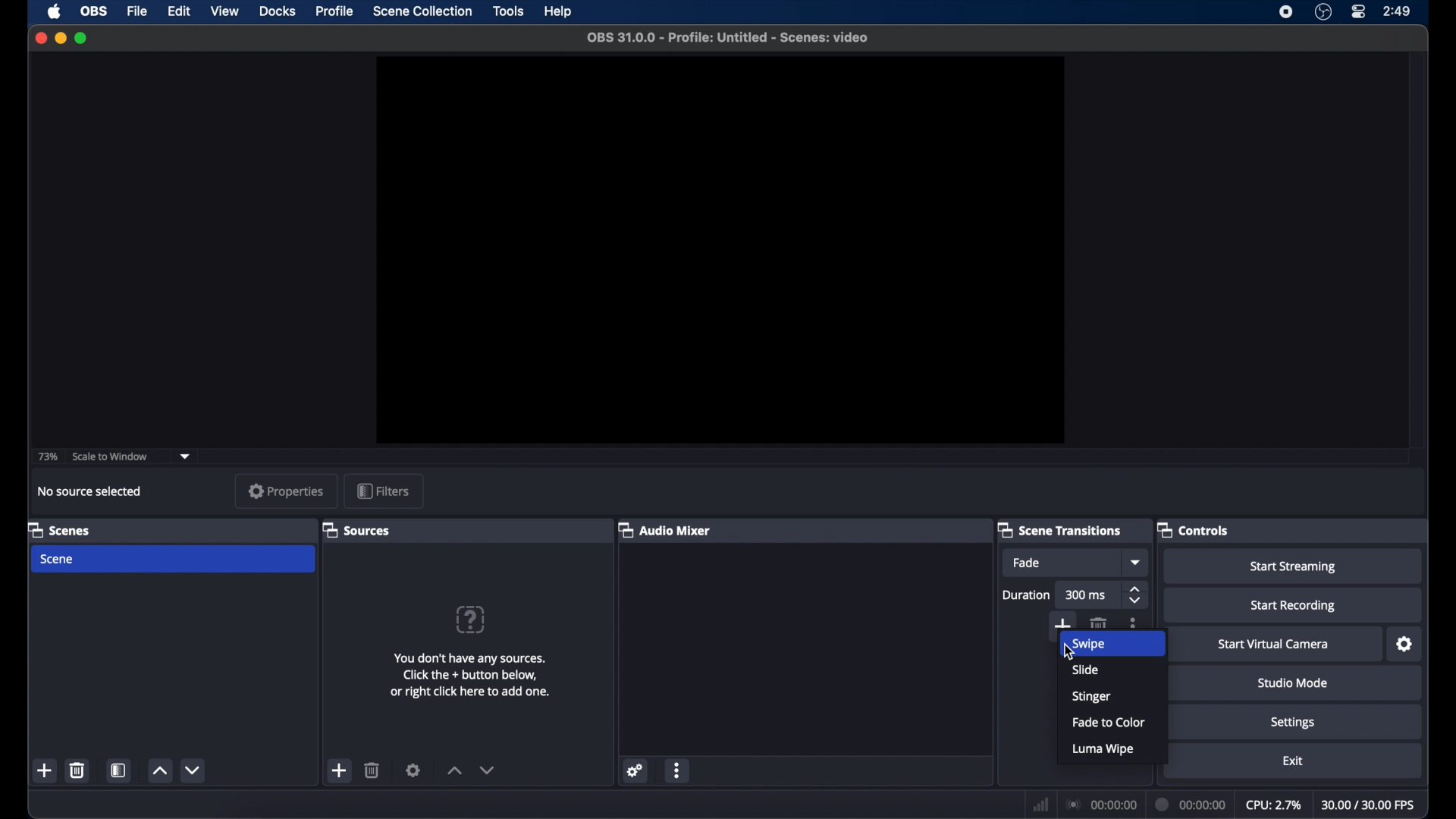  Describe the element at coordinates (1028, 563) in the screenshot. I see `fade` at that location.